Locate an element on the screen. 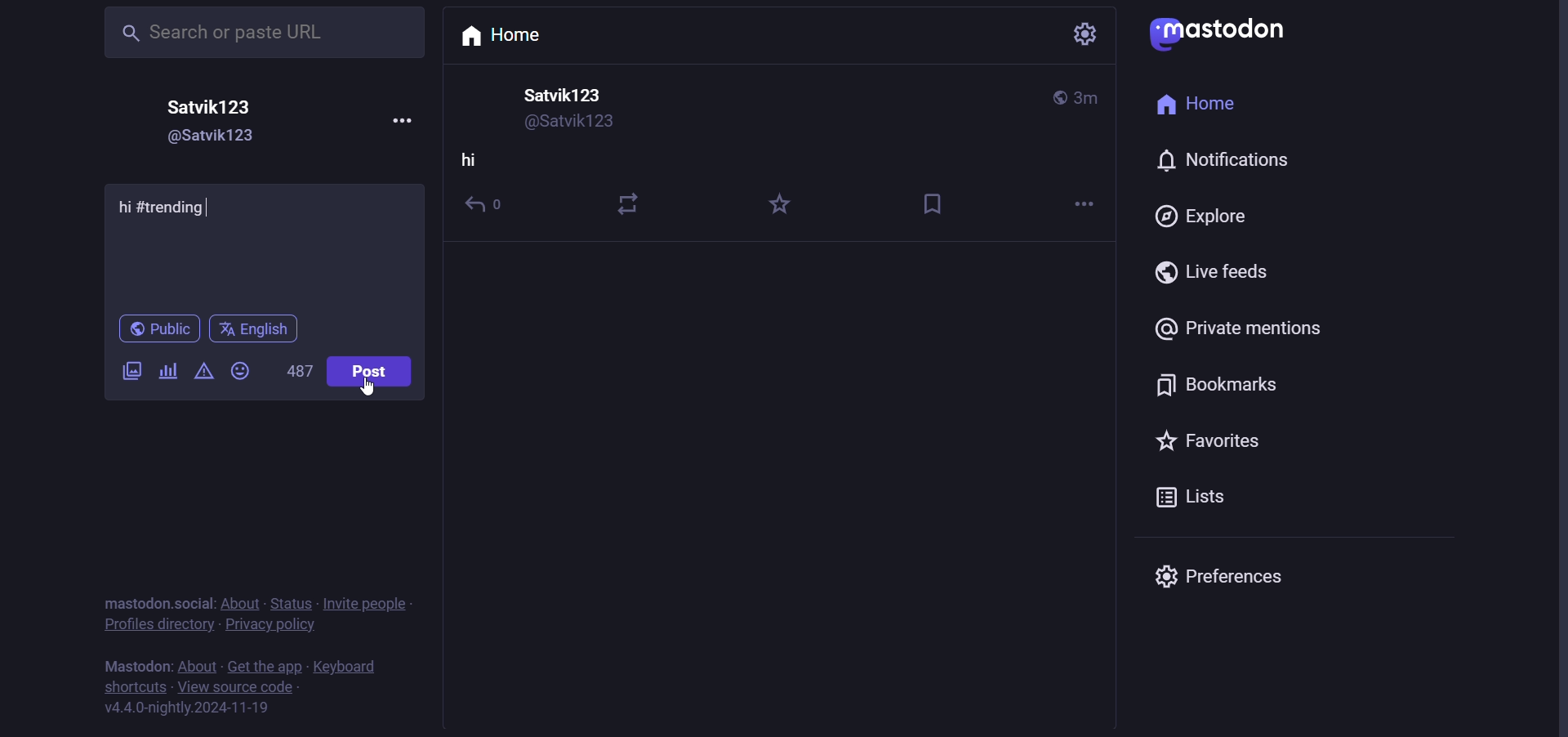  version is located at coordinates (185, 708).